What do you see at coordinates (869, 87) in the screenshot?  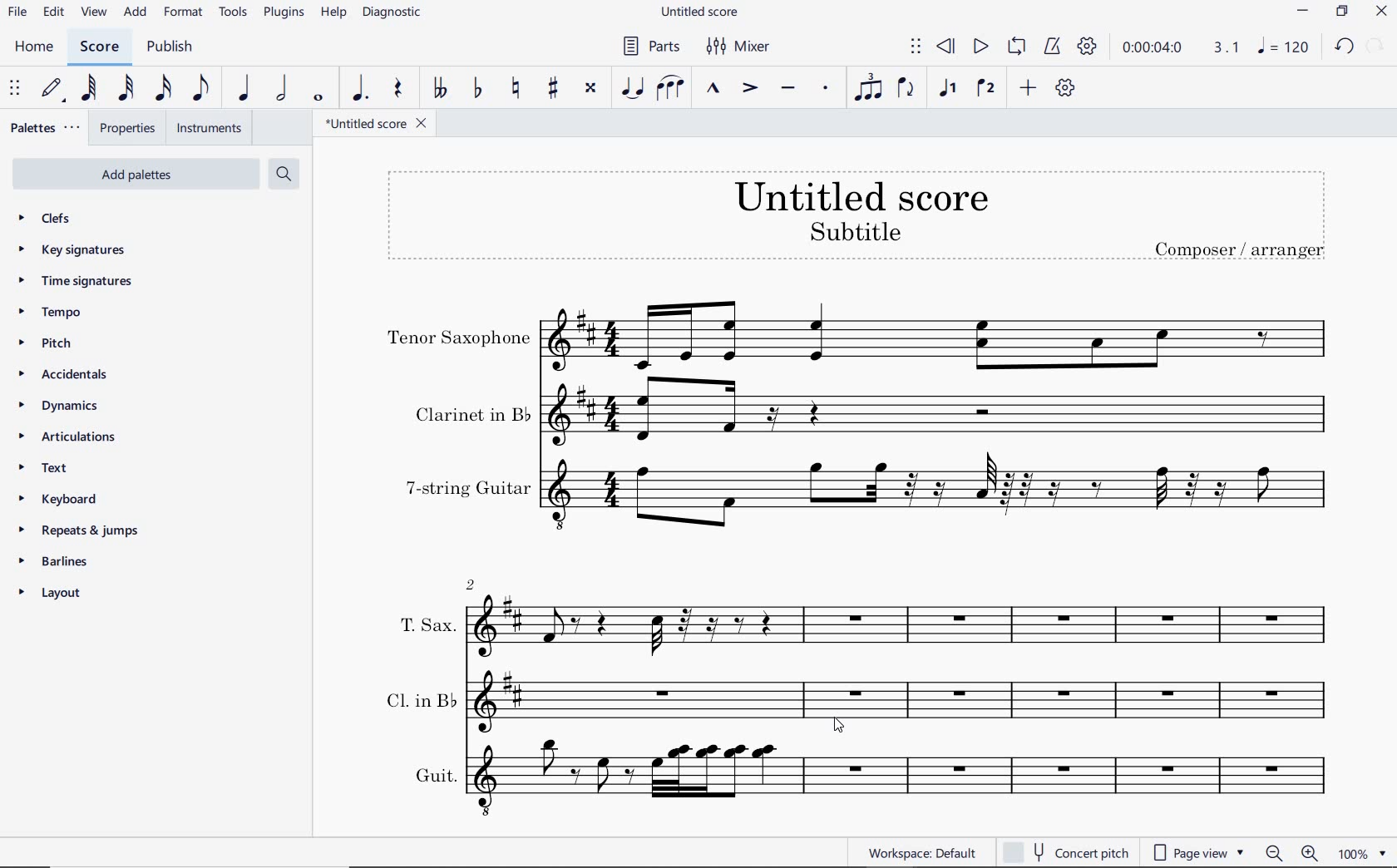 I see `TUPLET` at bounding box center [869, 87].